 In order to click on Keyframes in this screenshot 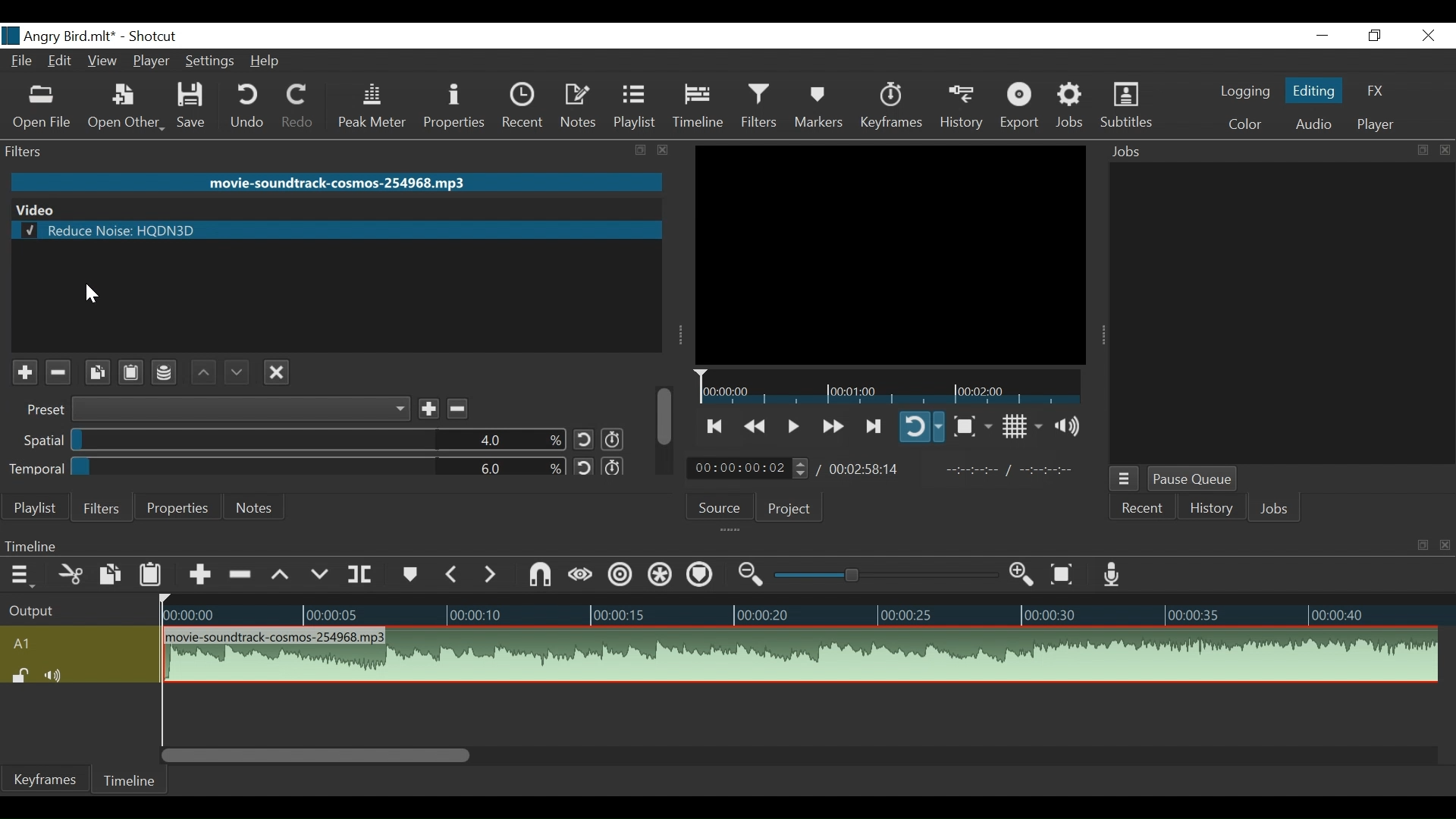, I will do `click(890, 106)`.